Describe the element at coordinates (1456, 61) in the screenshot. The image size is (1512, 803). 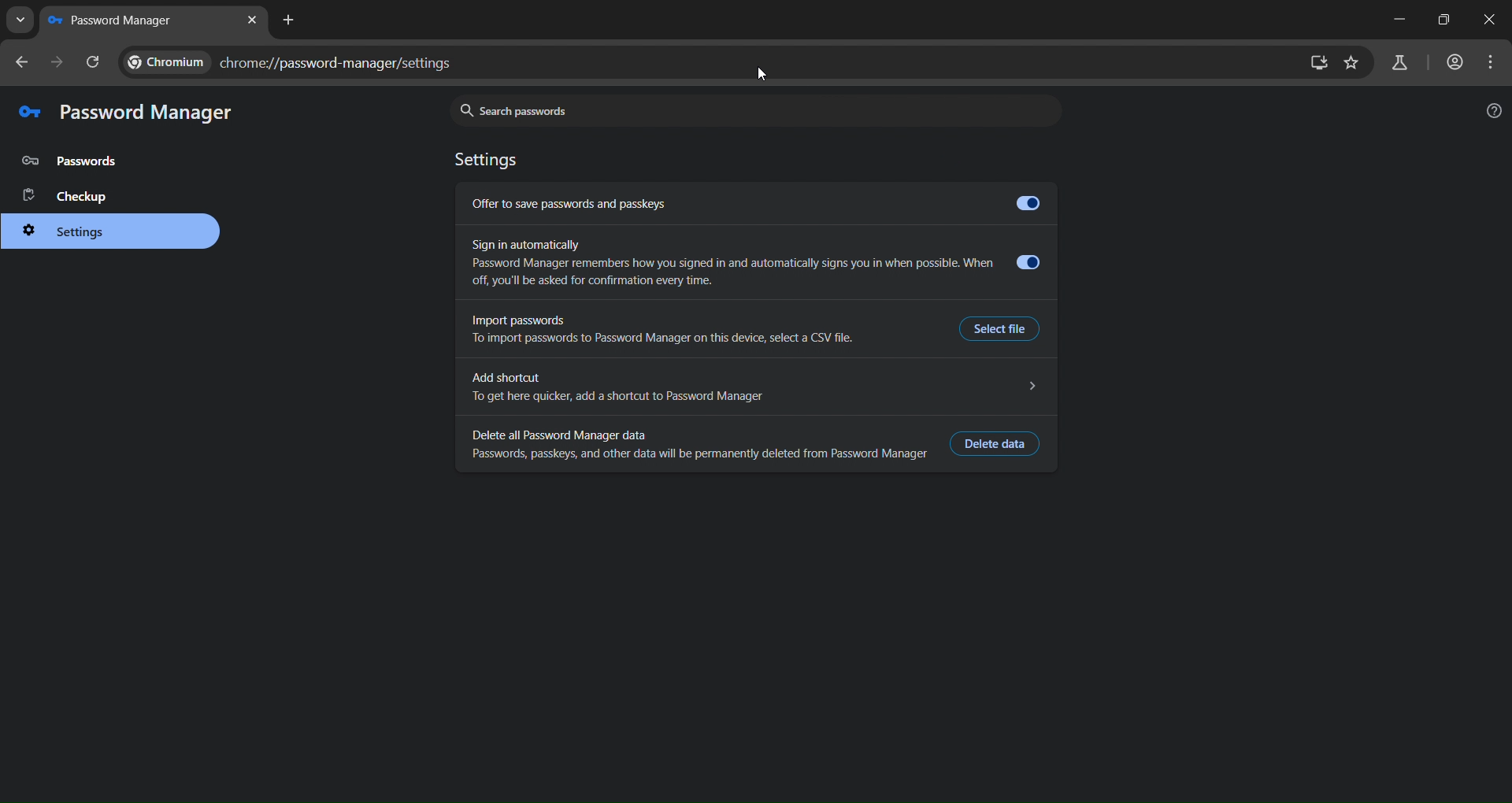
I see `accounts` at that location.